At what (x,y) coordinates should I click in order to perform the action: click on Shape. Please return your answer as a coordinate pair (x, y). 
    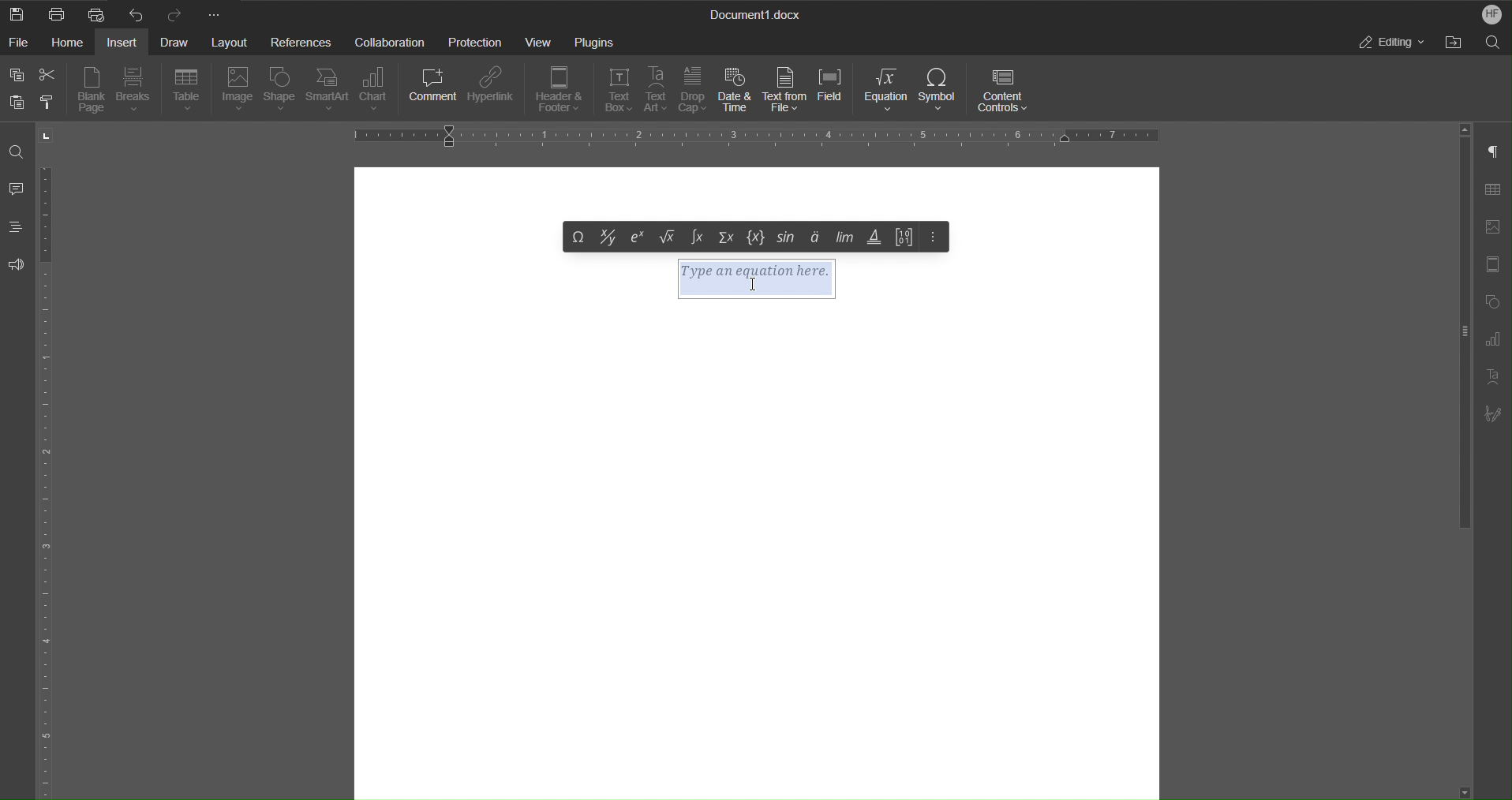
    Looking at the image, I should click on (279, 91).